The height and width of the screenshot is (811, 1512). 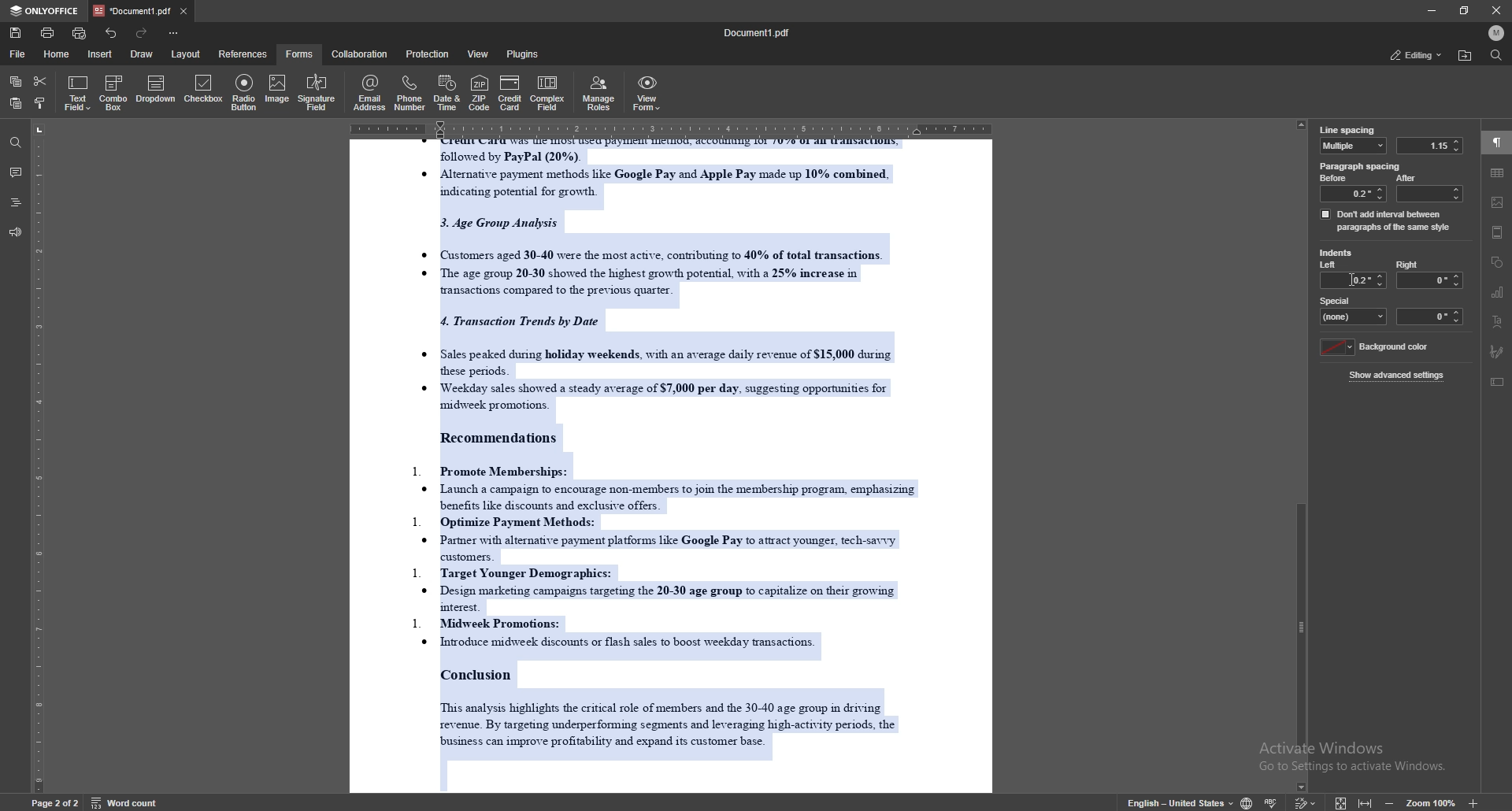 What do you see at coordinates (411, 93) in the screenshot?
I see `phone number` at bounding box center [411, 93].